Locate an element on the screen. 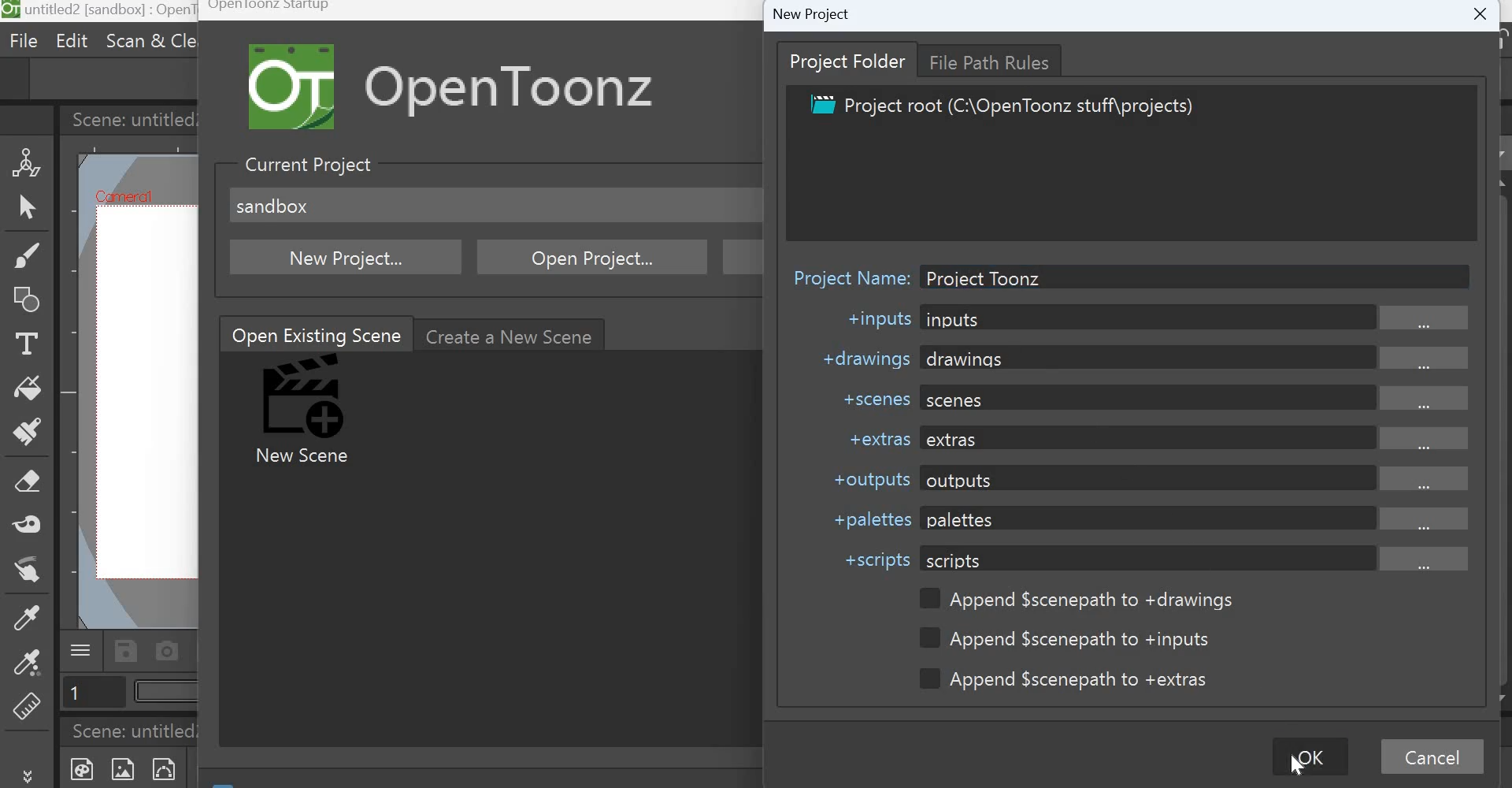 The height and width of the screenshot is (788, 1512). drawings is located at coordinates (1199, 357).